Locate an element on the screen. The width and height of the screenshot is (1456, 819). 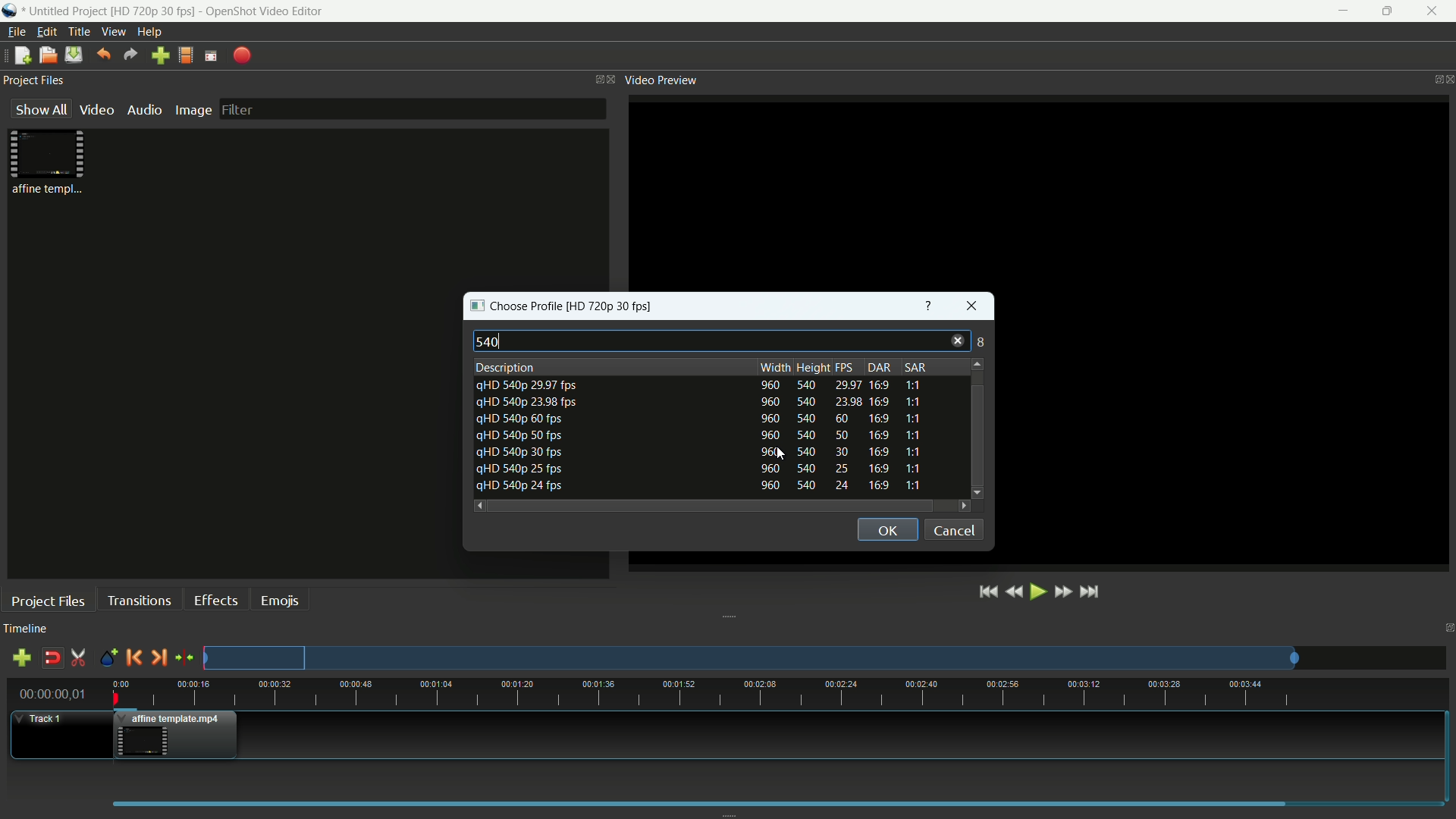
414 is located at coordinates (974, 343).